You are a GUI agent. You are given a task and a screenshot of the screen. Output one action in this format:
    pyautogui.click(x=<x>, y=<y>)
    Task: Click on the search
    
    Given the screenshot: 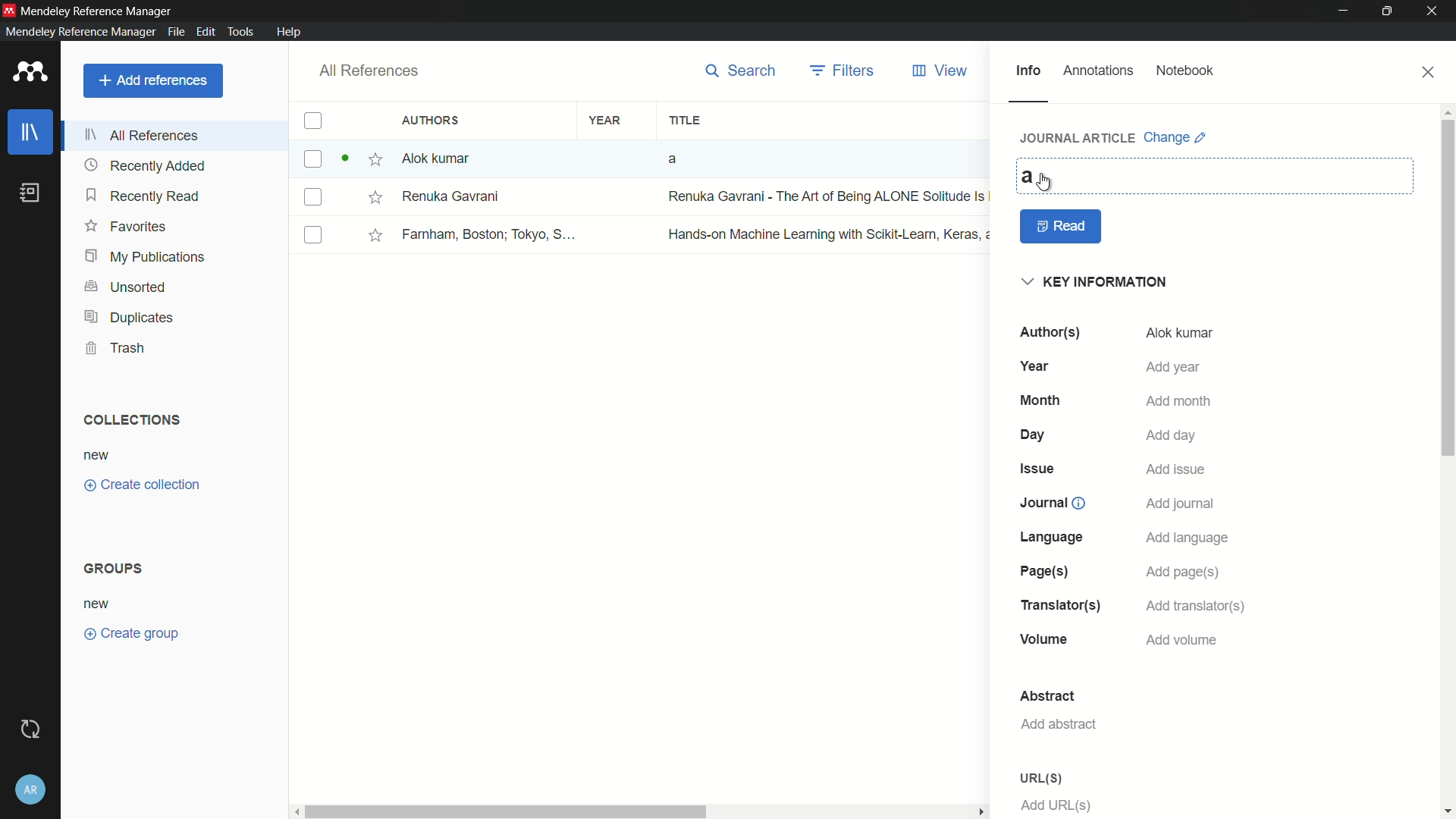 What is the action you would take?
    pyautogui.click(x=741, y=71)
    